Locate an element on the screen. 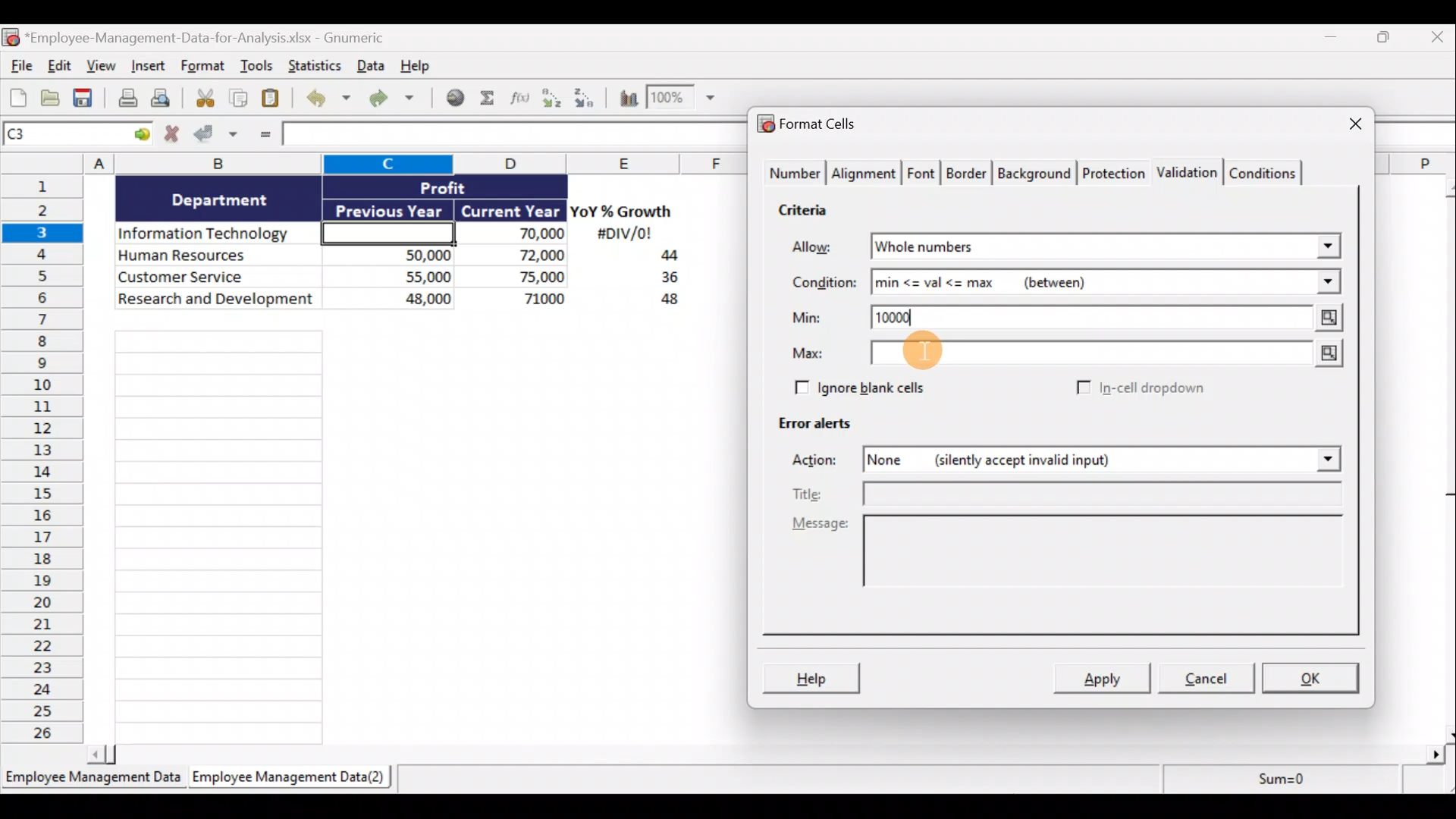 This screenshot has width=1456, height=819. Close is located at coordinates (1341, 125).